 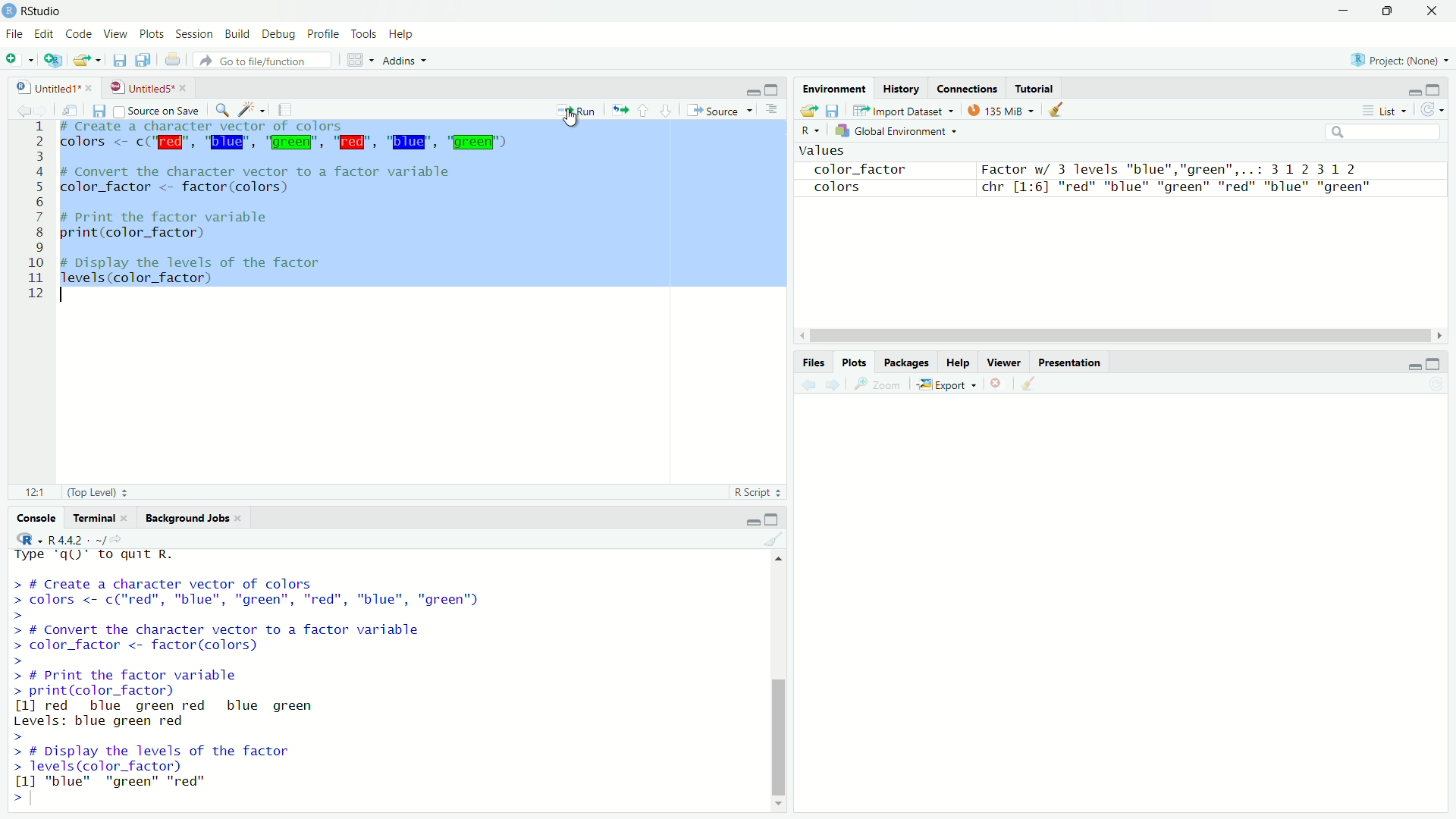 I want to click on go to next section/chunk, so click(x=667, y=111).